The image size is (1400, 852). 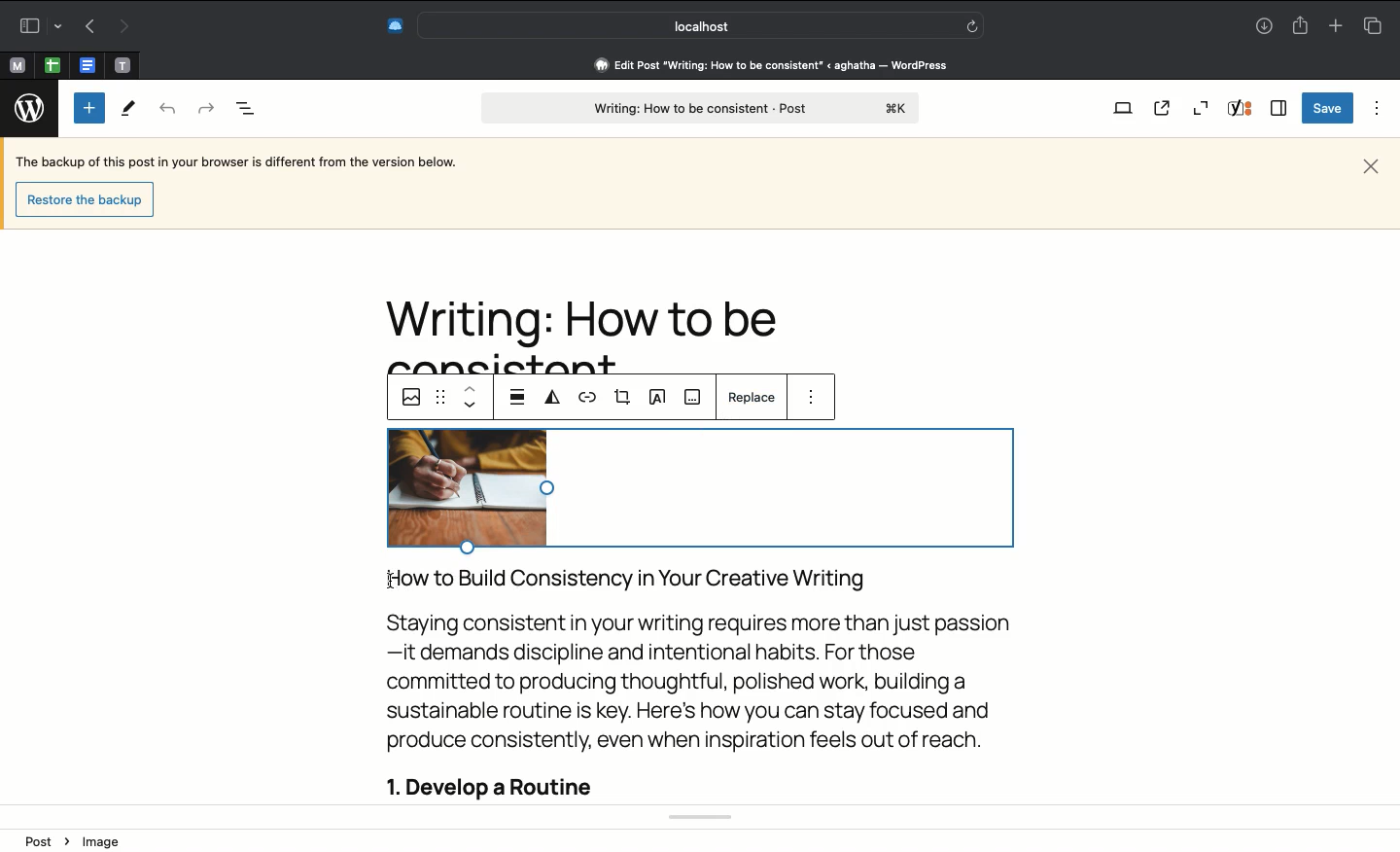 I want to click on Save, so click(x=1327, y=108).